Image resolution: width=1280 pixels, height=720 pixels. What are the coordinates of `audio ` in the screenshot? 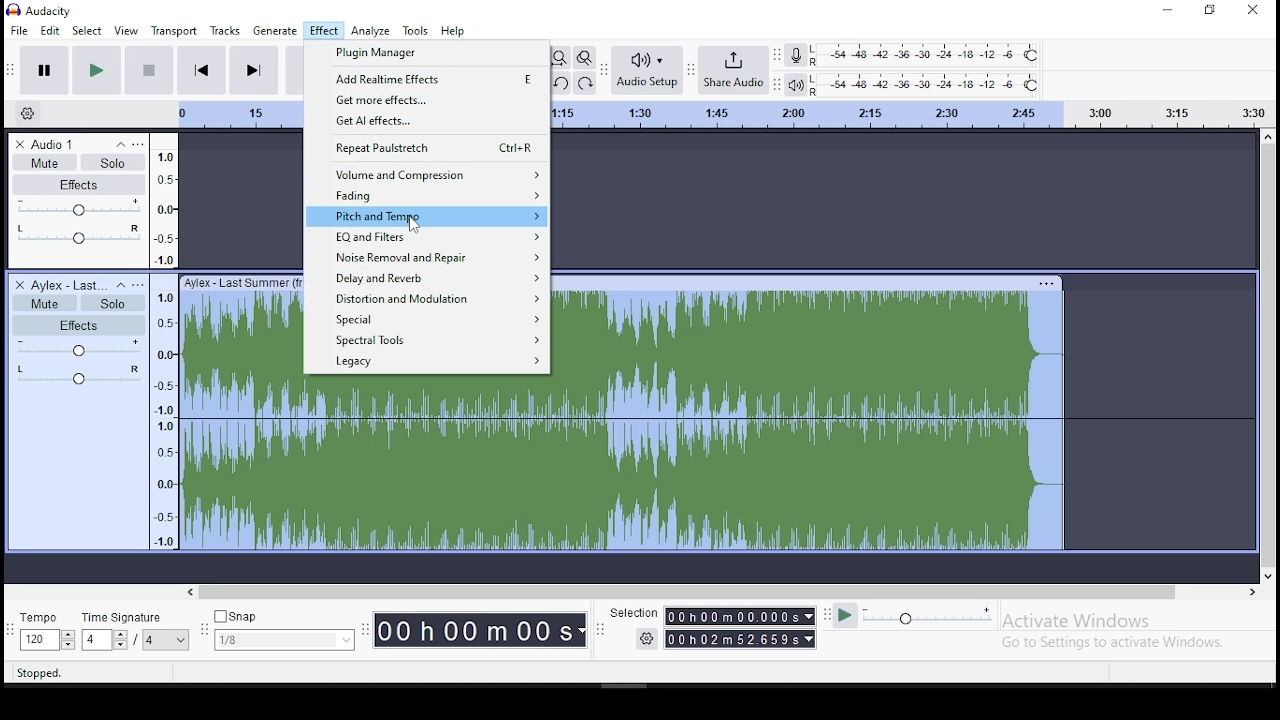 It's located at (65, 284).